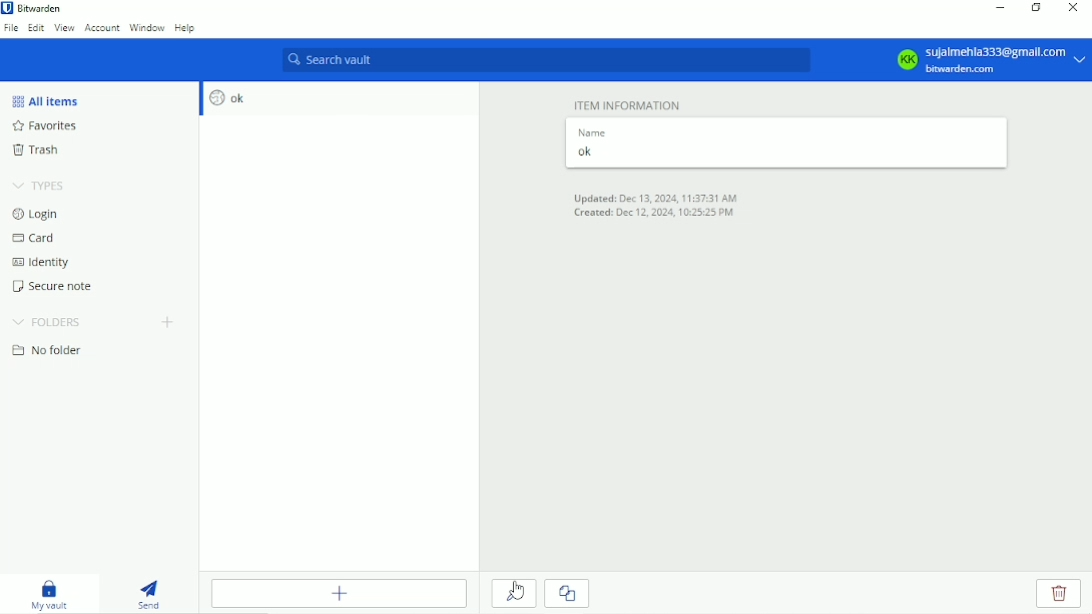 The width and height of the screenshot is (1092, 614). I want to click on Restore down, so click(1036, 7).